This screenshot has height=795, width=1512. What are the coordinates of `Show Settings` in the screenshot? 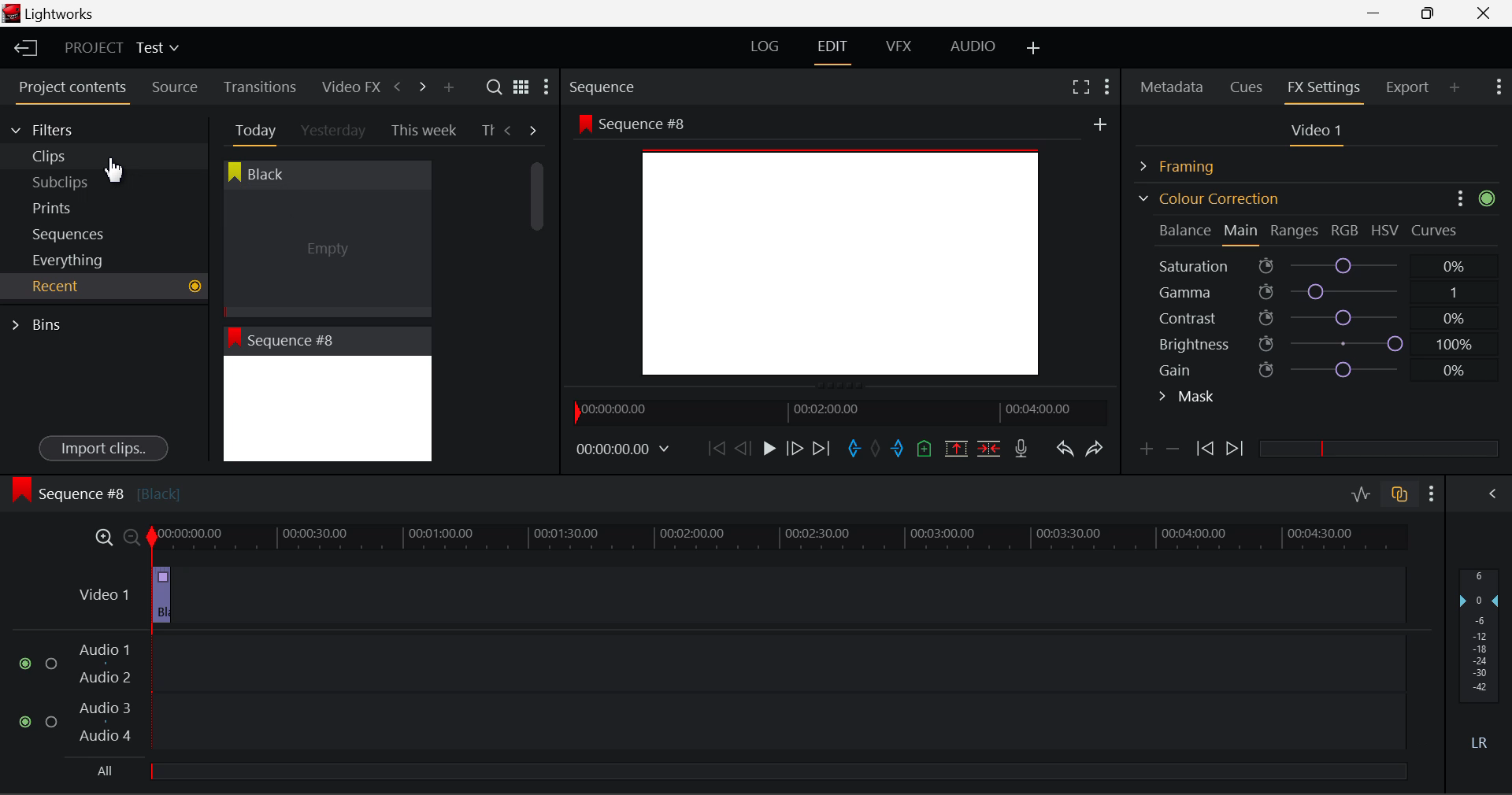 It's located at (1106, 84).